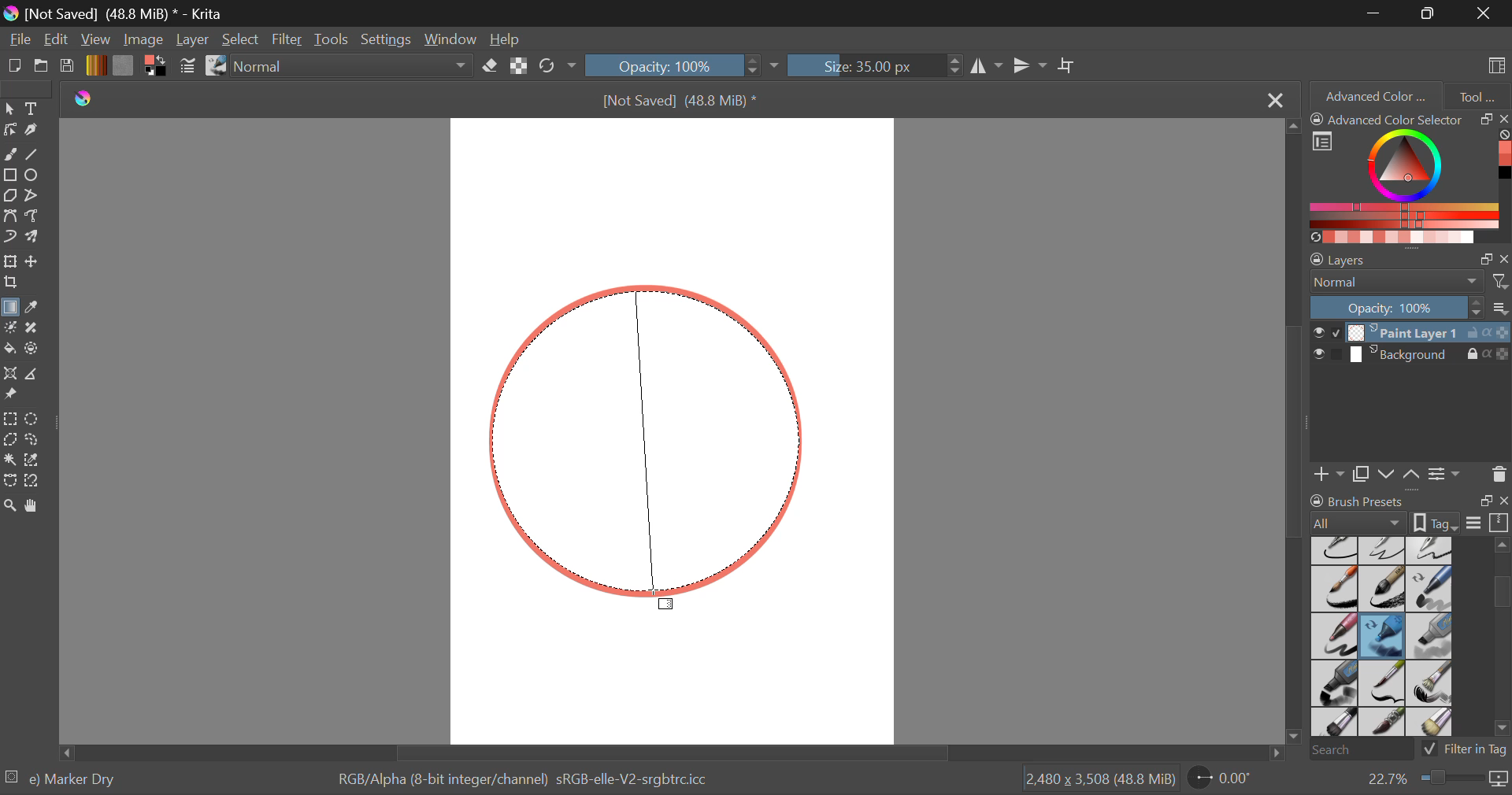 This screenshot has height=795, width=1512. Describe the element at coordinates (1364, 471) in the screenshot. I see `Copy` at that location.